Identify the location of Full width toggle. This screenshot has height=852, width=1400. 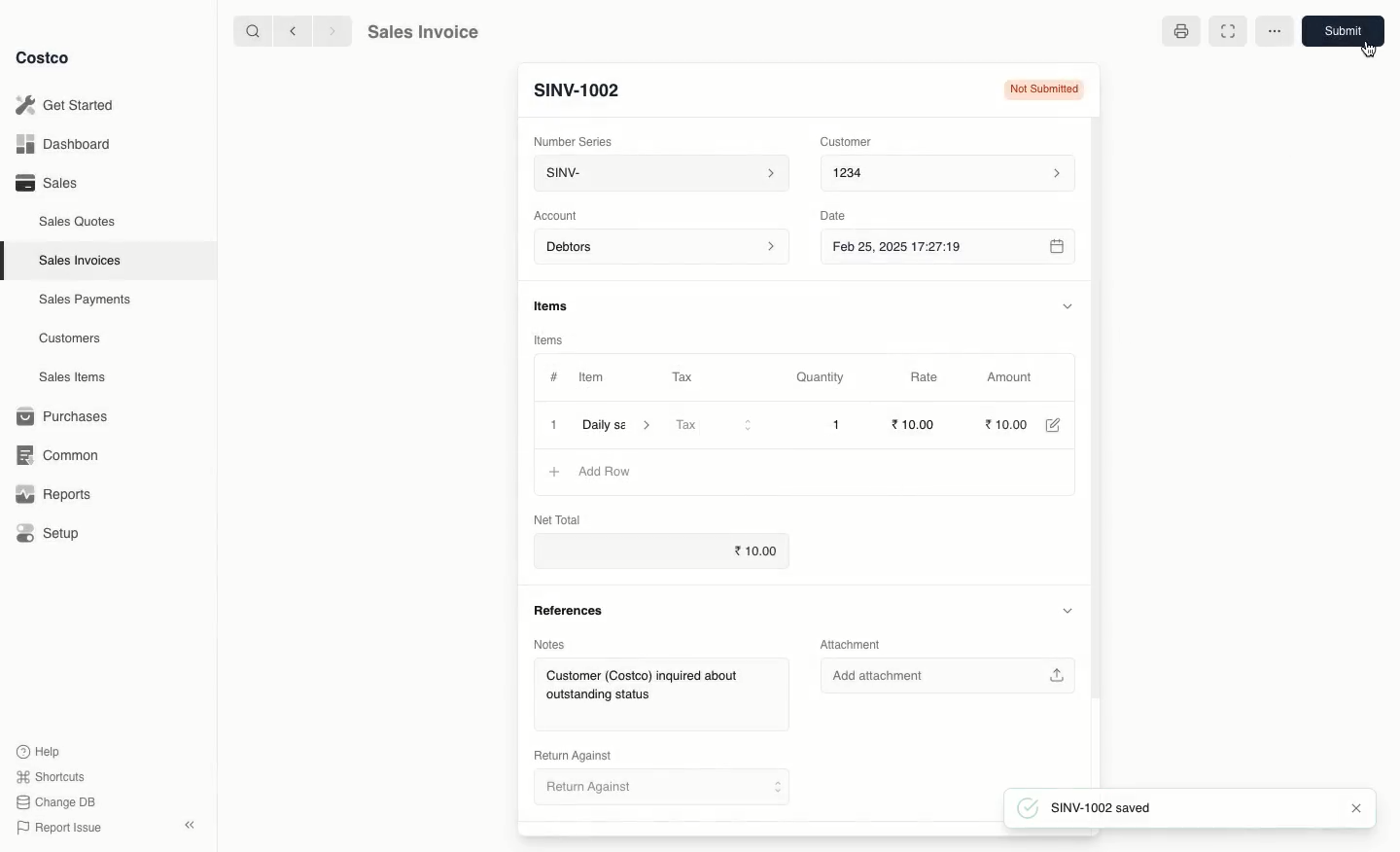
(1224, 30).